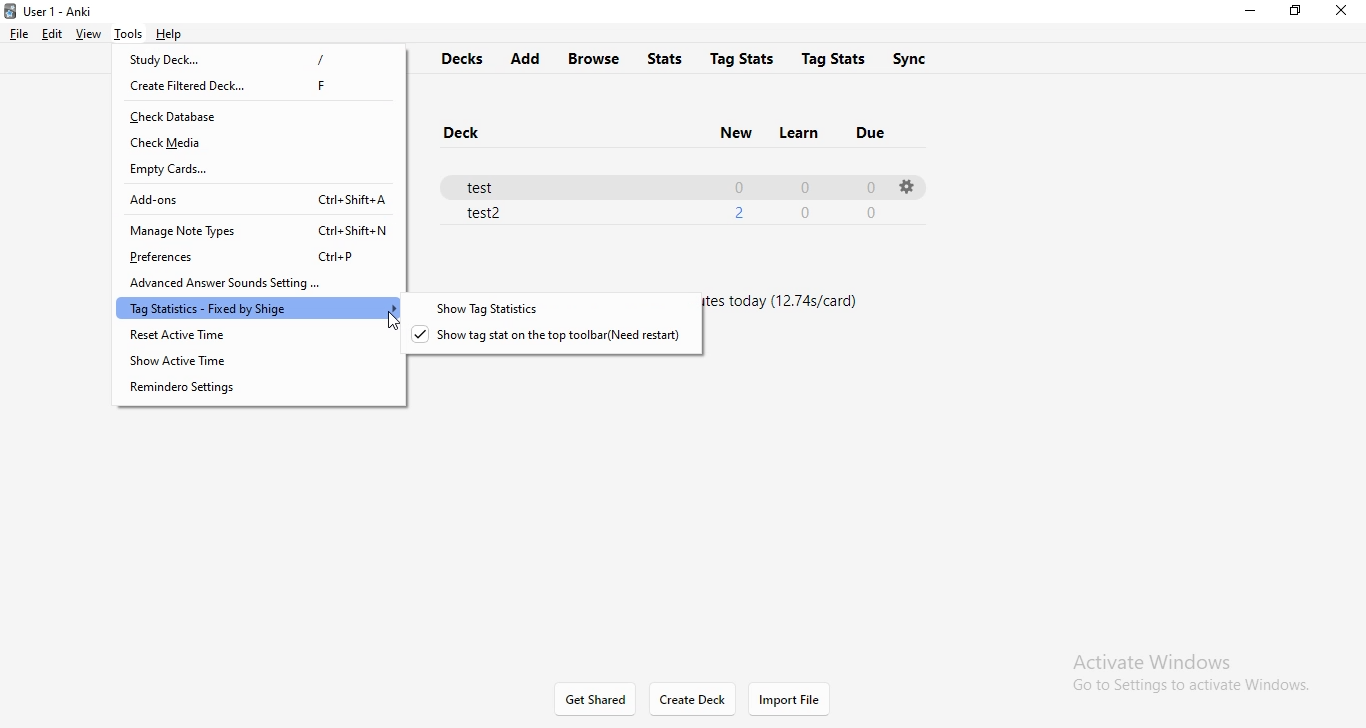  Describe the element at coordinates (908, 187) in the screenshot. I see `` at that location.